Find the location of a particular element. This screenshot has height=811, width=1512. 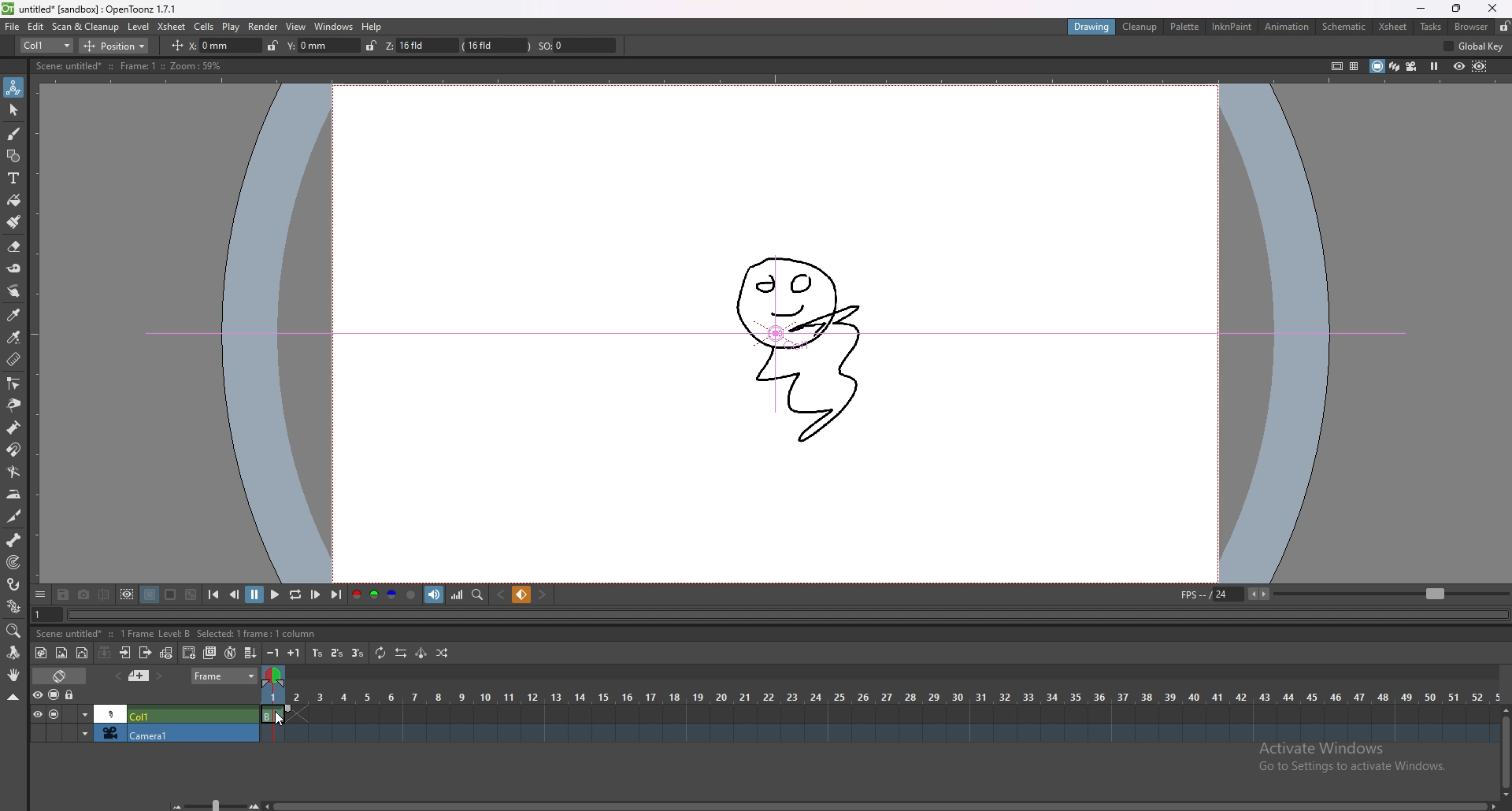

set key is located at coordinates (523, 594).